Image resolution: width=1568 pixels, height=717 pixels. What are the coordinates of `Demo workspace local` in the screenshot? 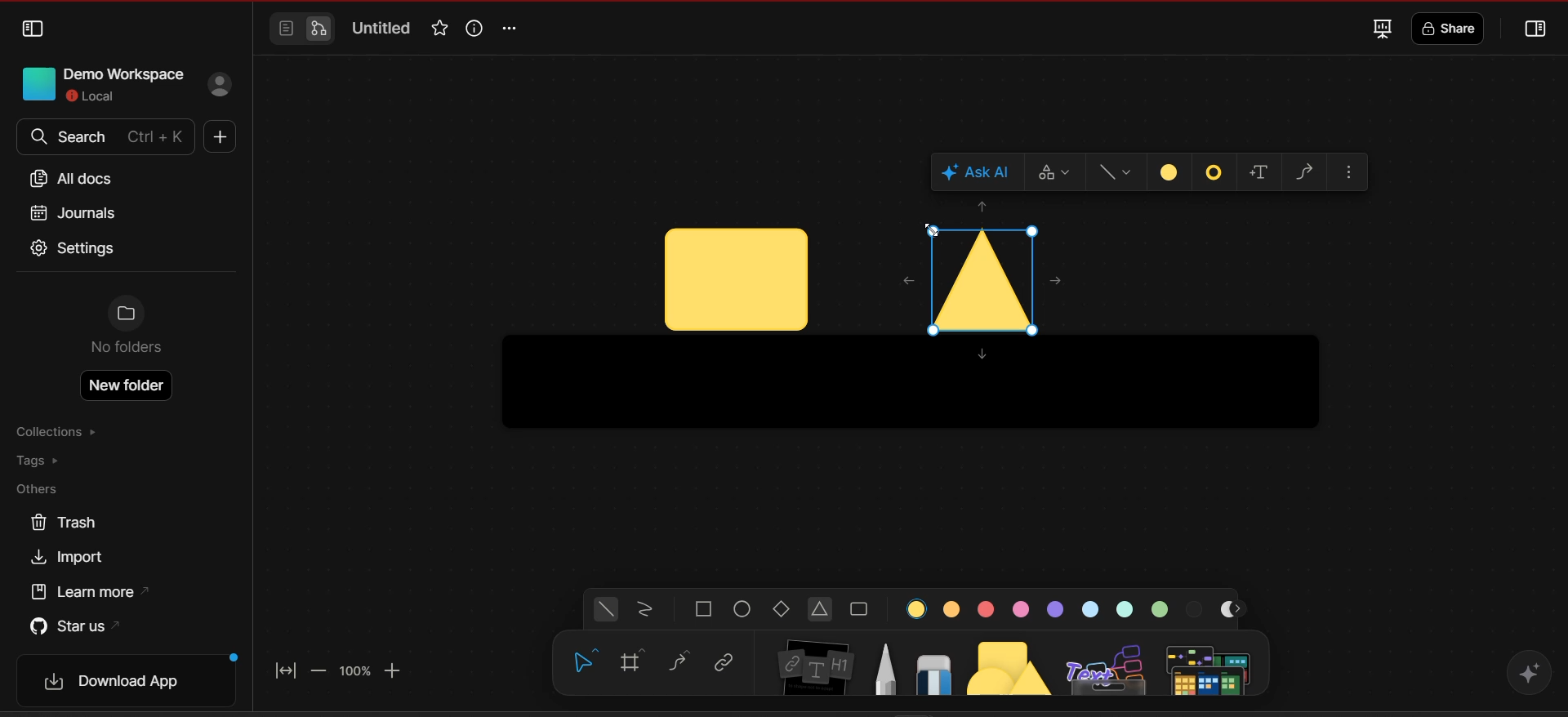 It's located at (97, 82).